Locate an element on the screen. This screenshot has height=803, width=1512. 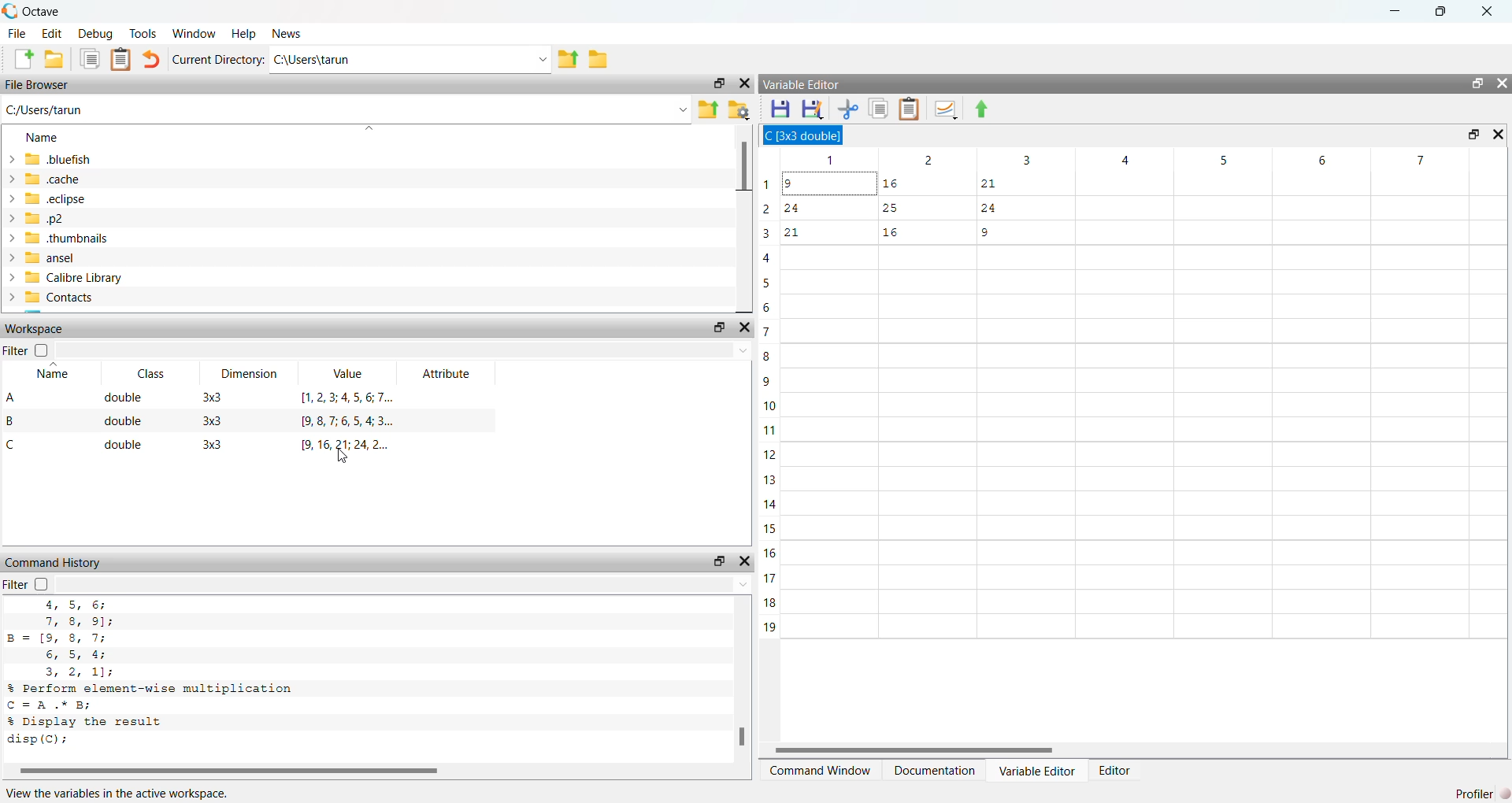
Checkbox is located at coordinates (41, 350).